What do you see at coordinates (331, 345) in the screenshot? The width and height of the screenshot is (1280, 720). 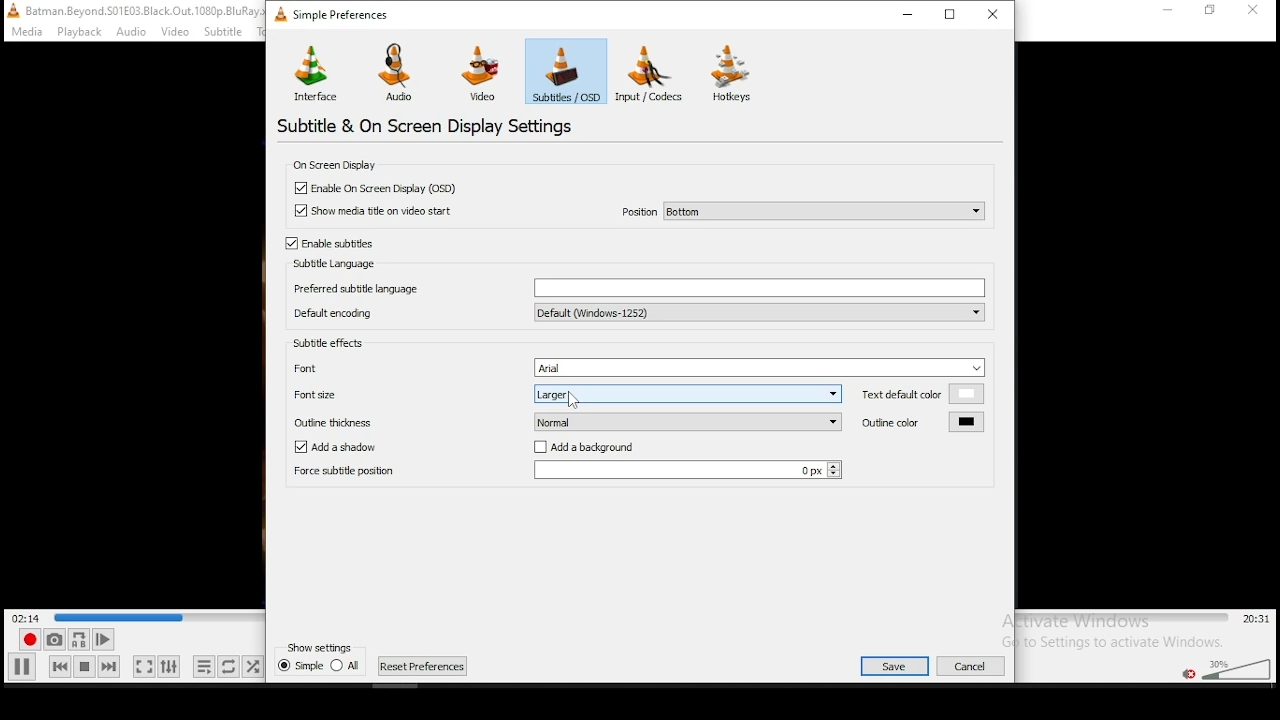 I see `subtitle effects` at bounding box center [331, 345].